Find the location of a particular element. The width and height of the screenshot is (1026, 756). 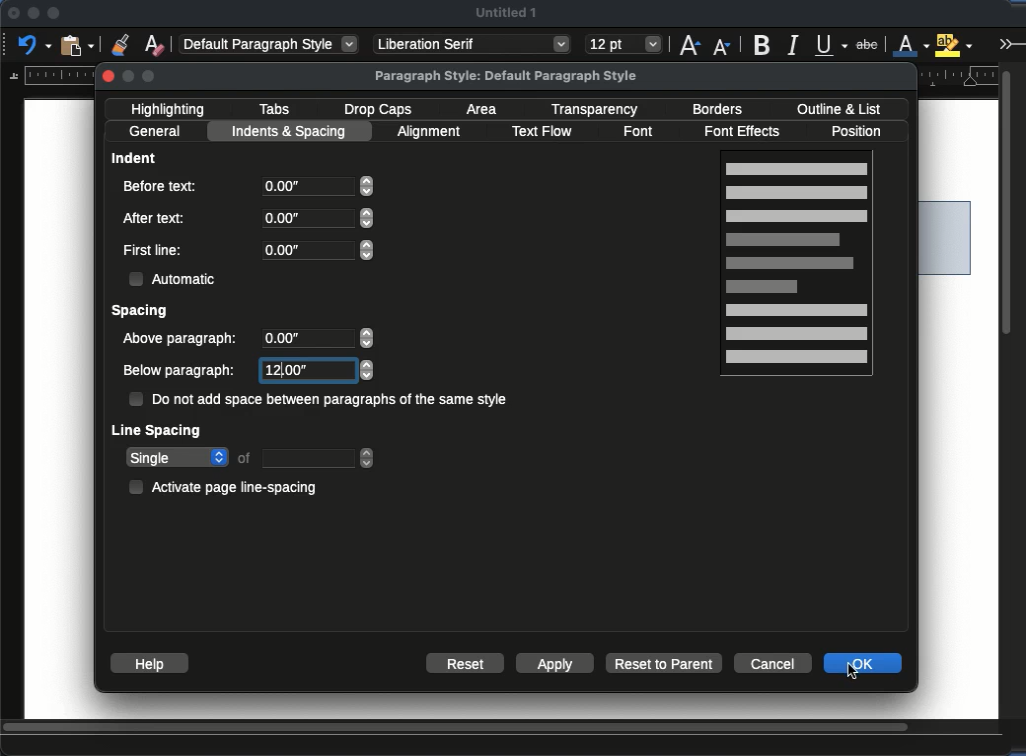

line spacing is located at coordinates (158, 433).